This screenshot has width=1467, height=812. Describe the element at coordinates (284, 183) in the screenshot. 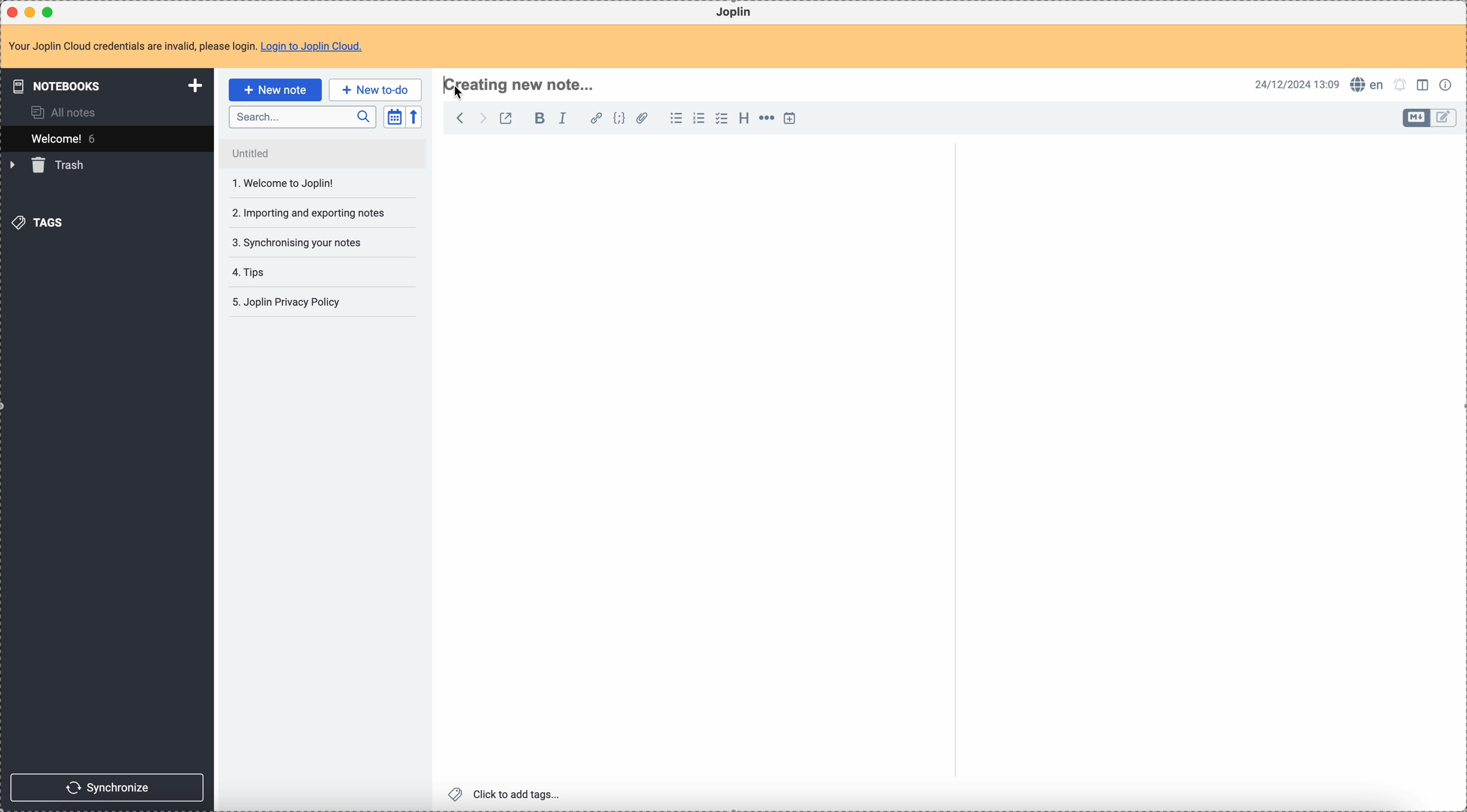

I see `welcome to Joplin!` at that location.